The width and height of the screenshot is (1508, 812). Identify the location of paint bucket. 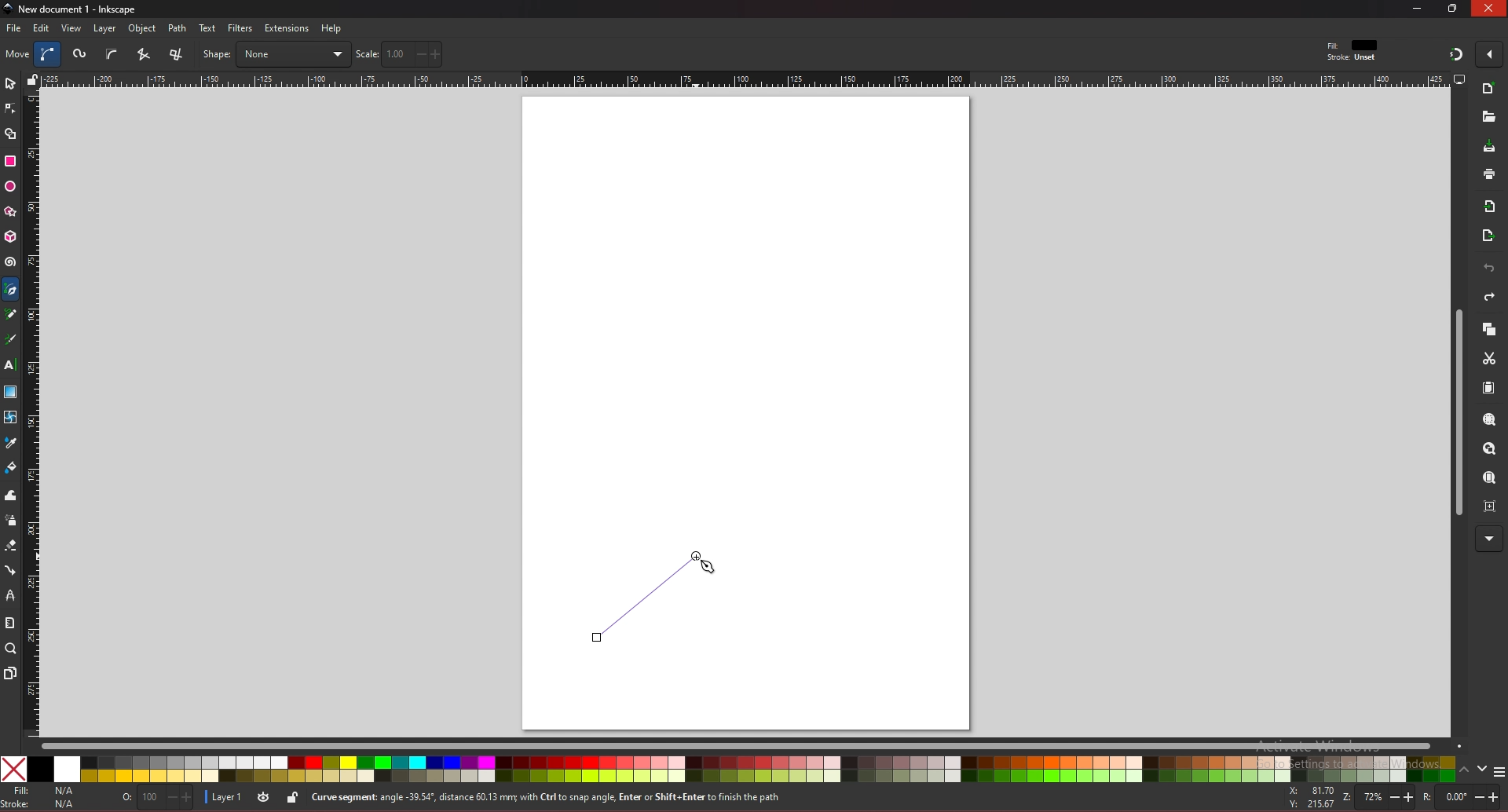
(11, 466).